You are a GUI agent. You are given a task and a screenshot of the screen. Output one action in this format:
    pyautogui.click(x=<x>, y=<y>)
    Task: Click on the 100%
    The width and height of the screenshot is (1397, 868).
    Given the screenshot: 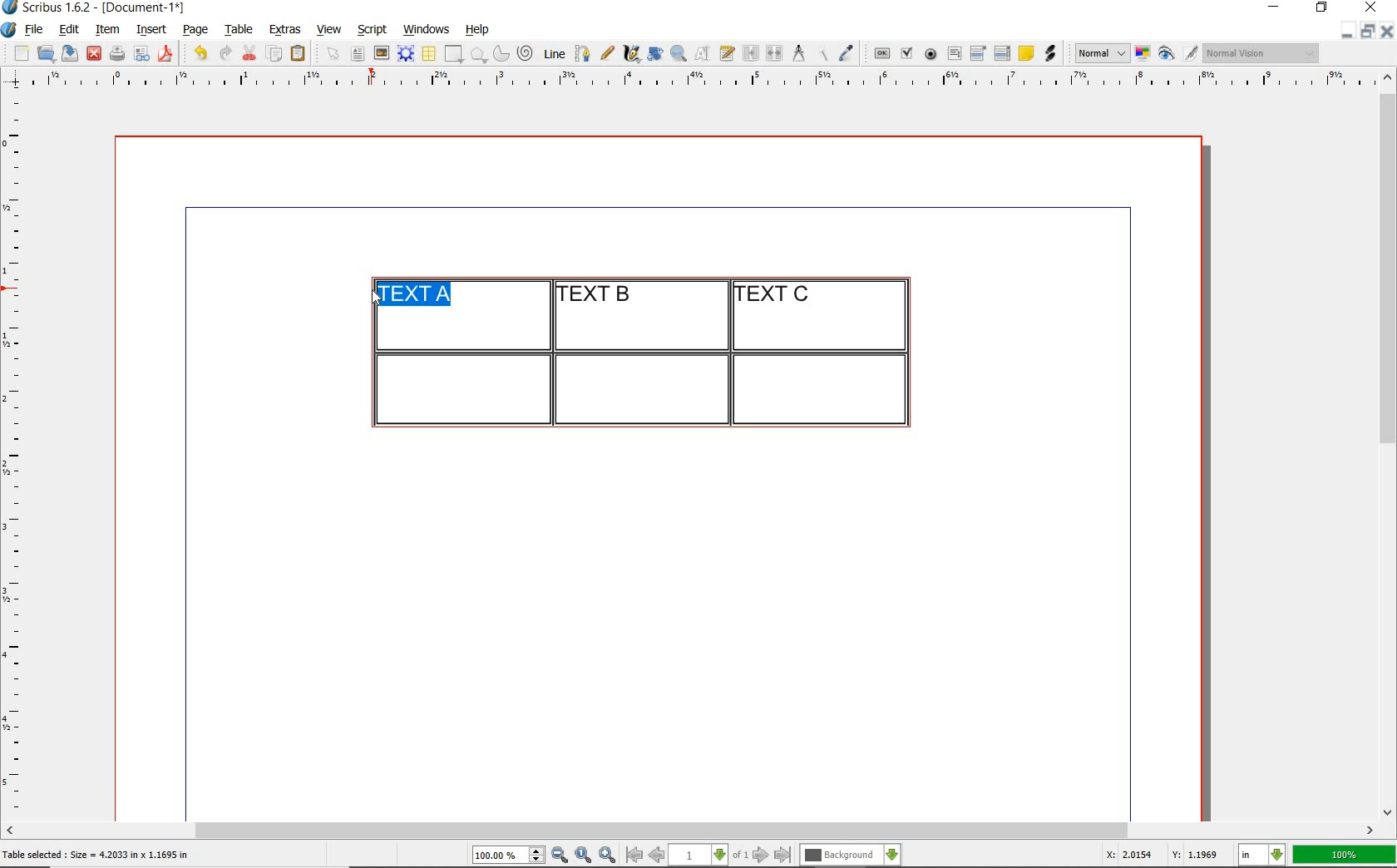 What is the action you would take?
    pyautogui.click(x=1345, y=855)
    